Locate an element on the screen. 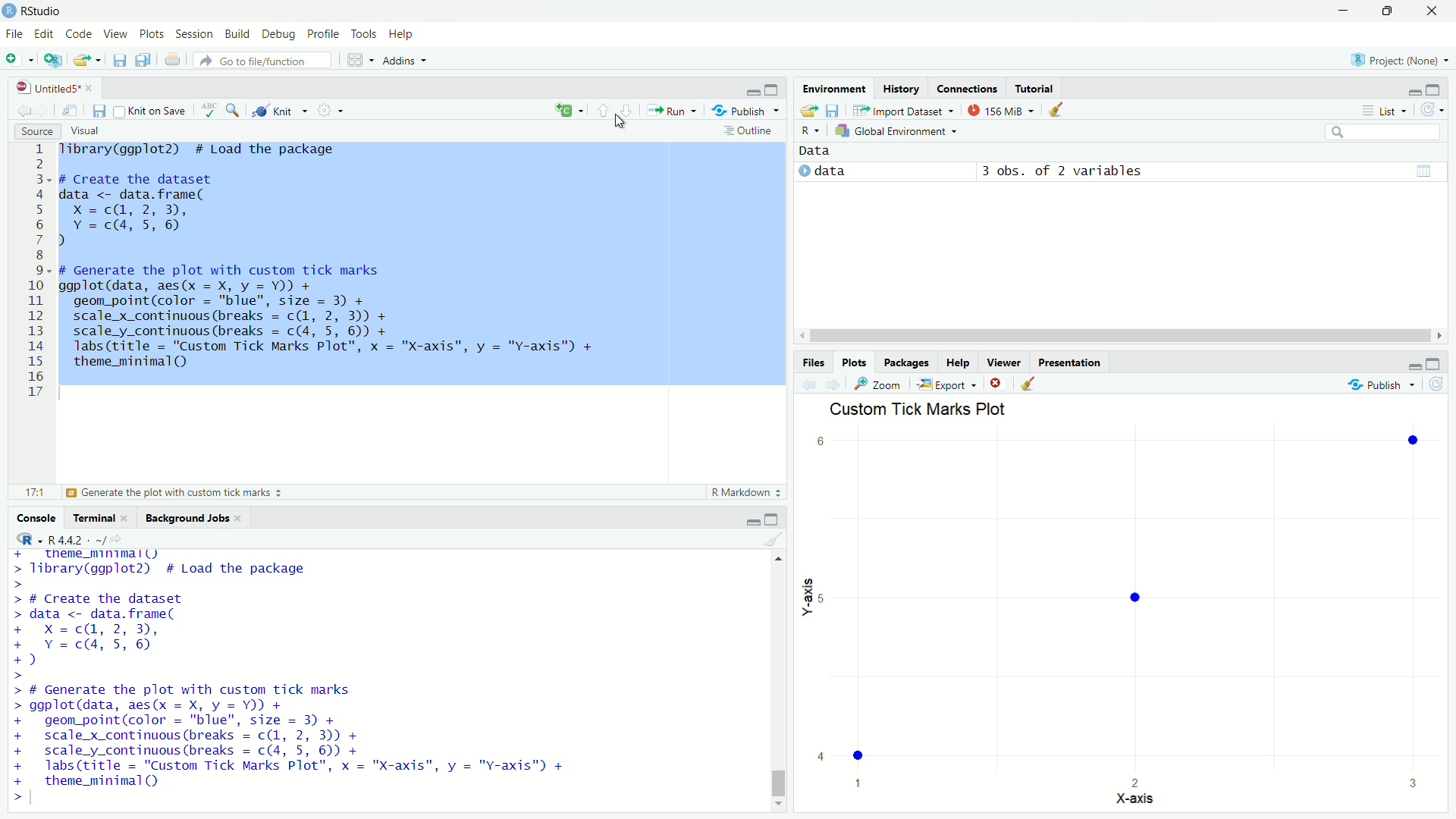 The height and width of the screenshot is (819, 1456). build is located at coordinates (239, 33).